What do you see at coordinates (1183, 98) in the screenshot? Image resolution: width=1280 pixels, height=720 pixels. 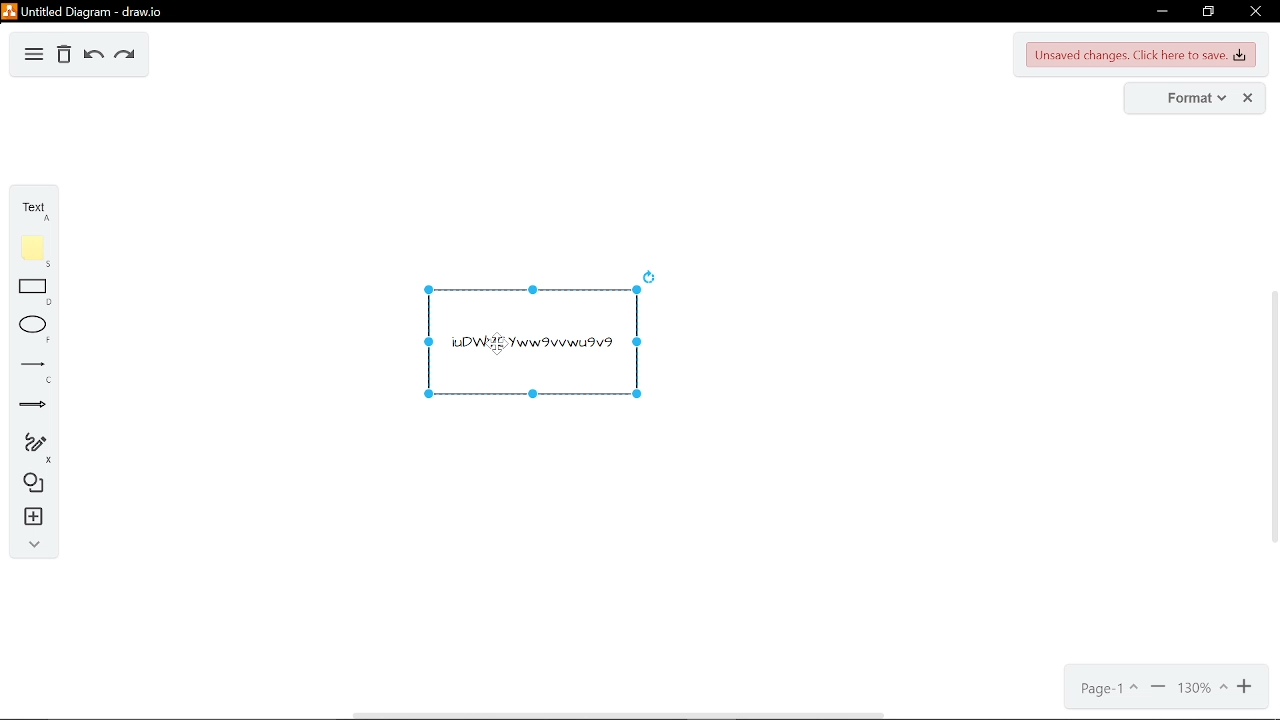 I see `format` at bounding box center [1183, 98].